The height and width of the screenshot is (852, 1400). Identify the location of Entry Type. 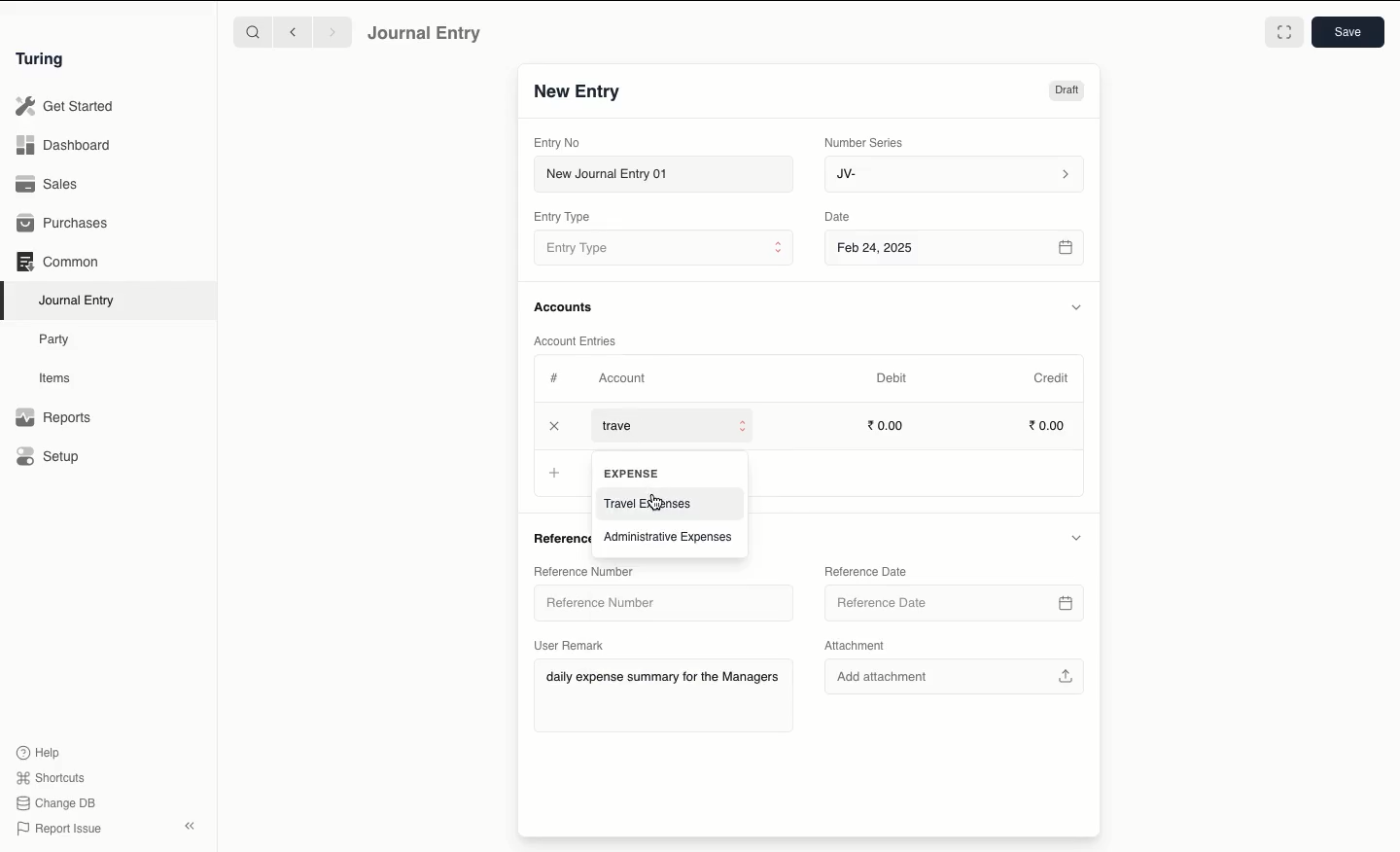
(562, 217).